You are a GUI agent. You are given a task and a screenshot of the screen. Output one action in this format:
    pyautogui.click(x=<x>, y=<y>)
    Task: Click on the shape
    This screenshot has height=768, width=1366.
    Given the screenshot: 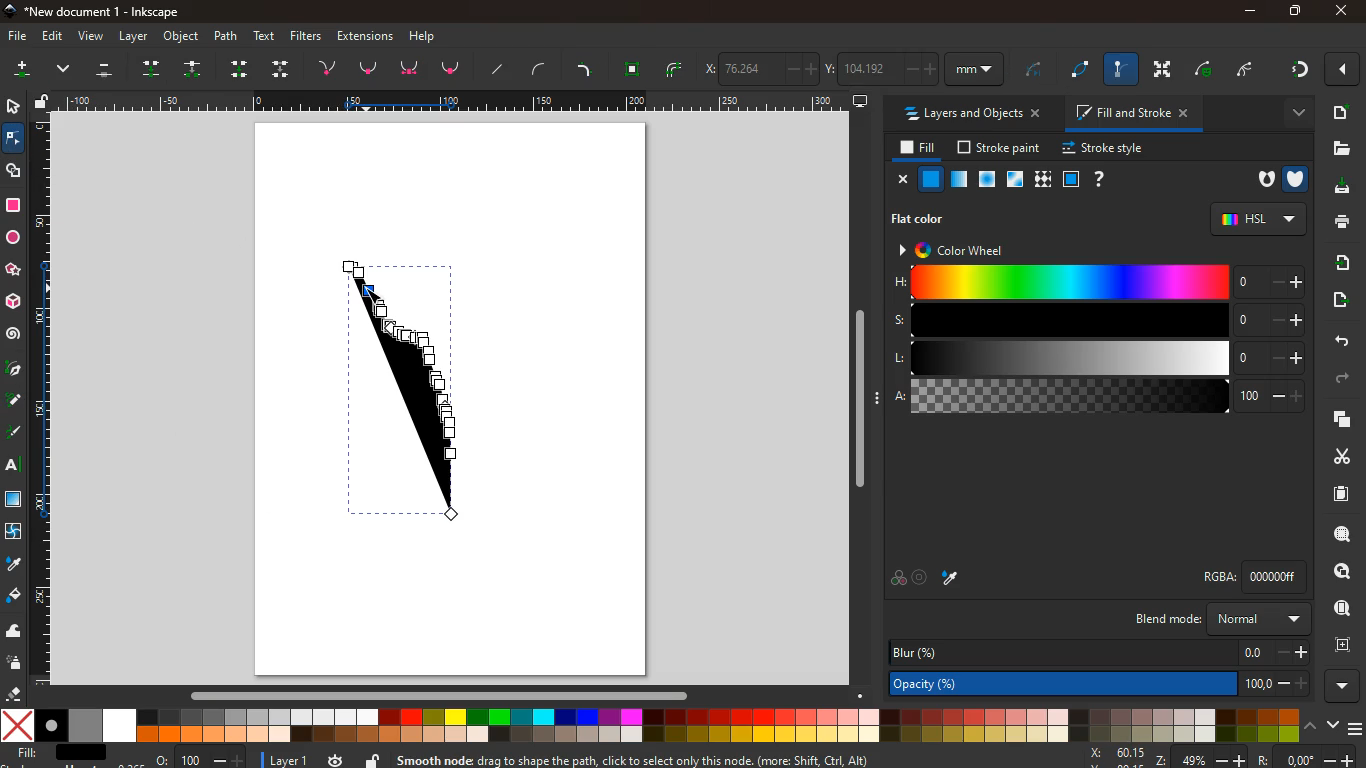 What is the action you would take?
    pyautogui.click(x=15, y=170)
    